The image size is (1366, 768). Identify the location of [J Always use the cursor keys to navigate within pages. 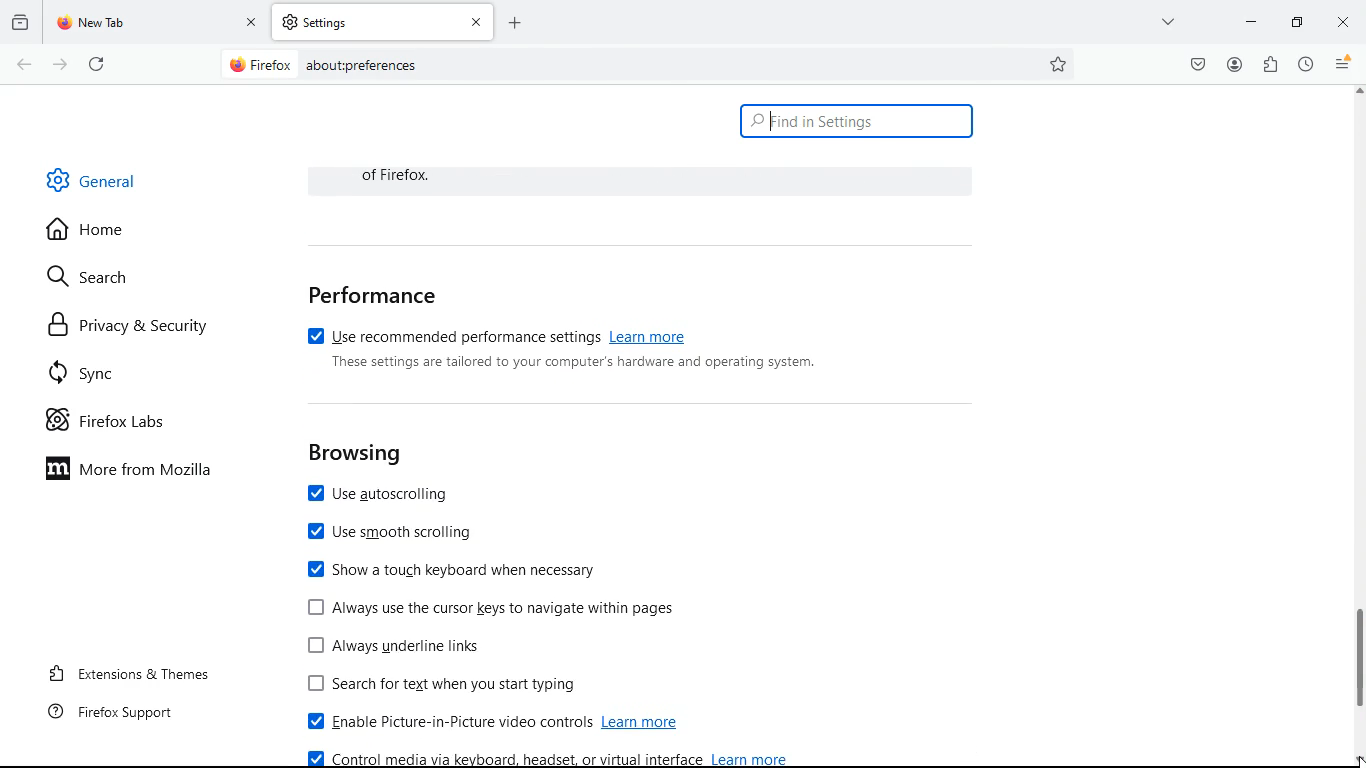
(491, 608).